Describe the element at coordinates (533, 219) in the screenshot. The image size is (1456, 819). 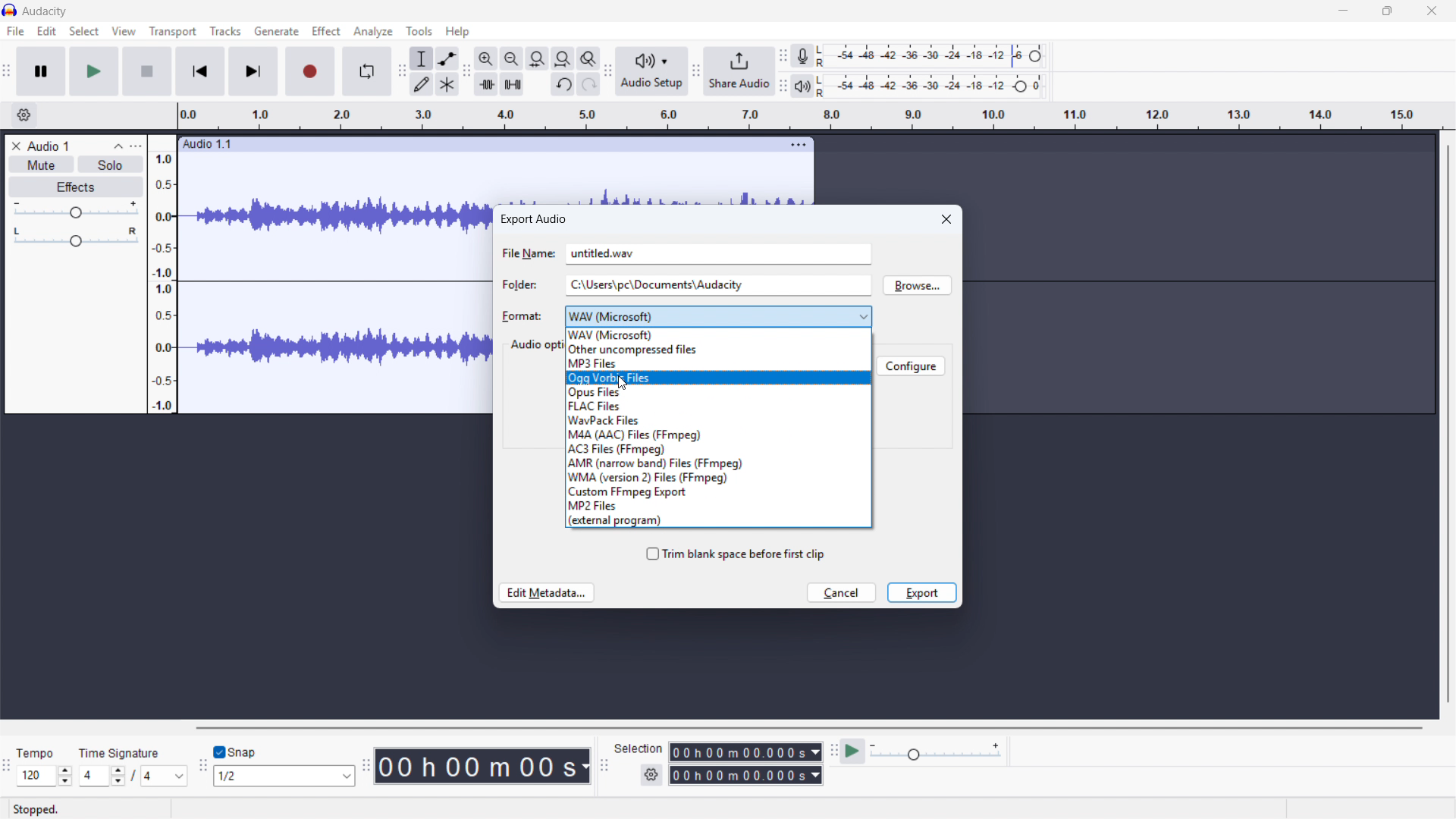
I see `Export audio ` at that location.